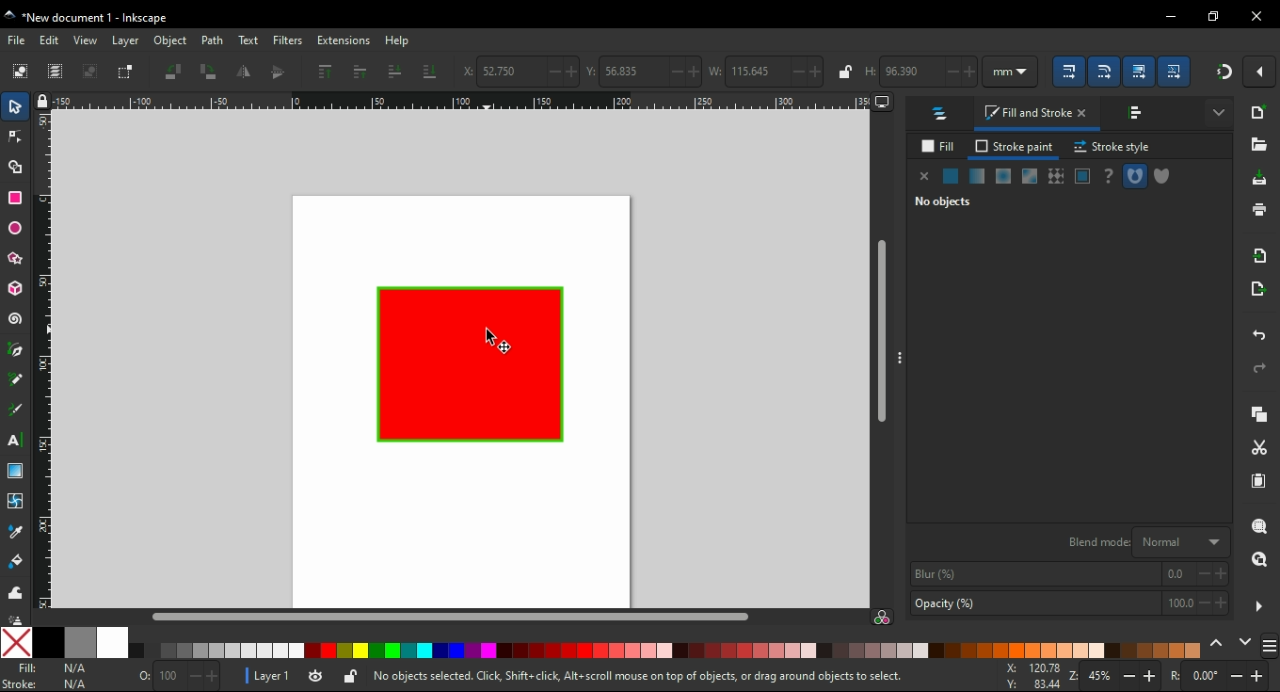 This screenshot has height=692, width=1280. Describe the element at coordinates (125, 72) in the screenshot. I see `toggle selection box to select all touched objects ` at that location.